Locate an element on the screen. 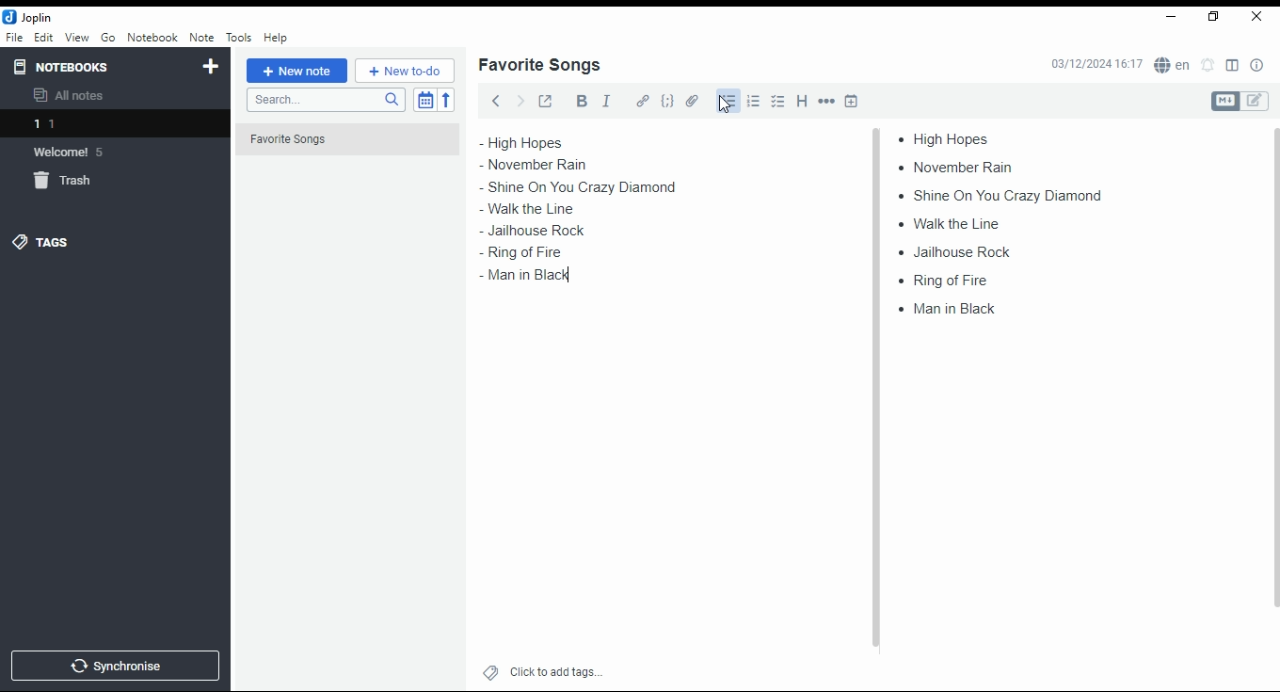 The width and height of the screenshot is (1280, 692). mouse pointer is located at coordinates (725, 104).